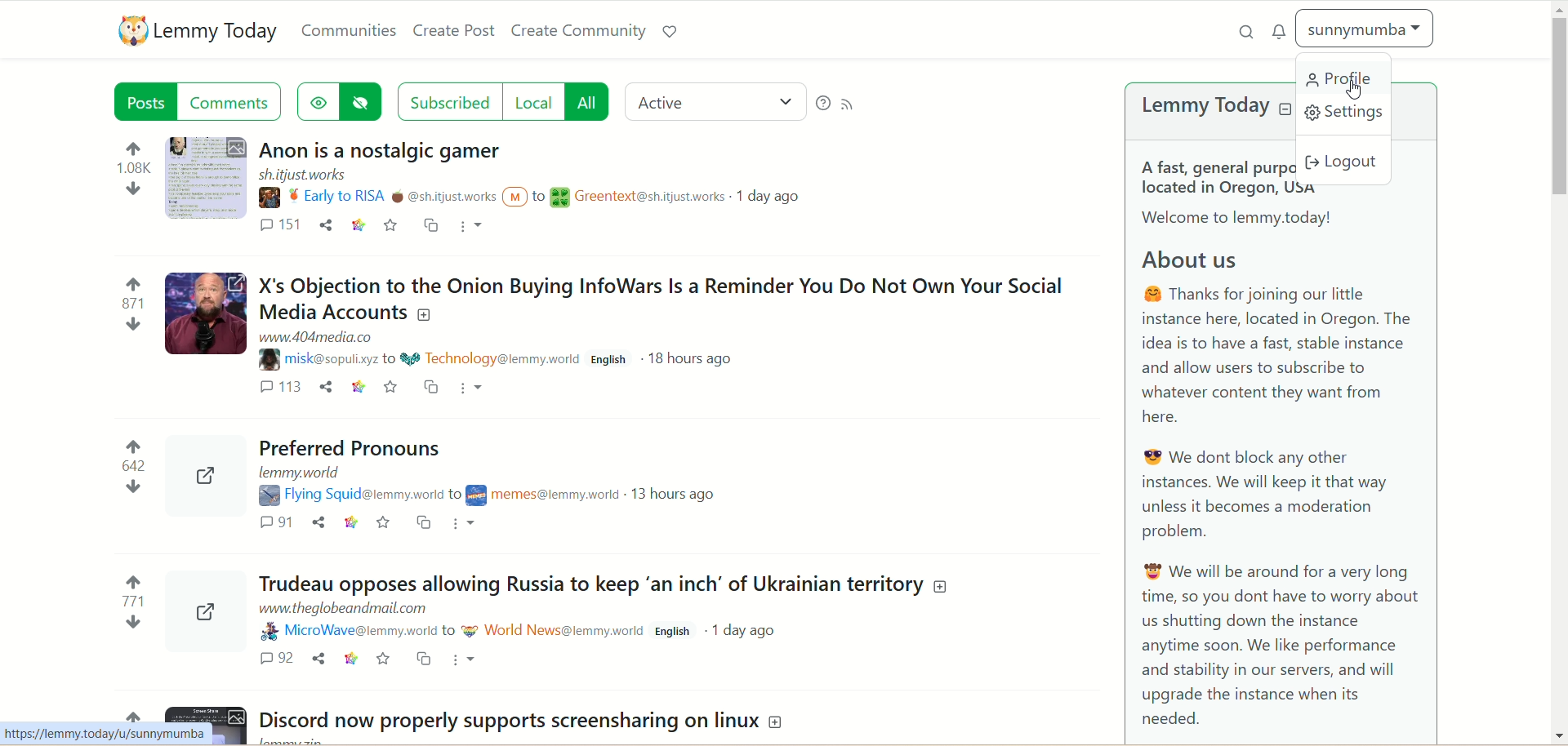 This screenshot has width=1568, height=746. Describe the element at coordinates (318, 659) in the screenshot. I see `Share` at that location.